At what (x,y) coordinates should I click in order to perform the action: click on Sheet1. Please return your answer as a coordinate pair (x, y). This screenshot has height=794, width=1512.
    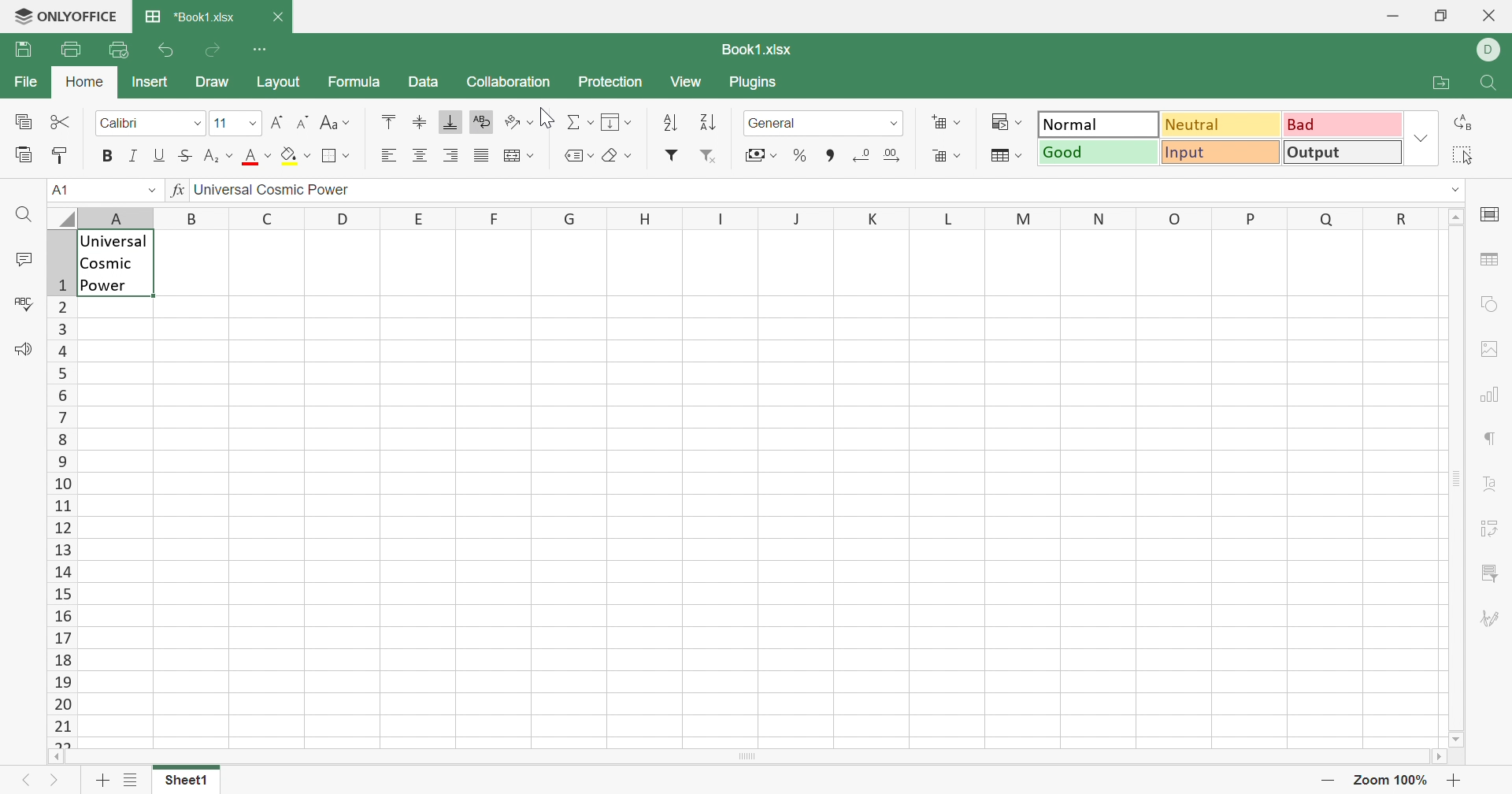
    Looking at the image, I should click on (190, 783).